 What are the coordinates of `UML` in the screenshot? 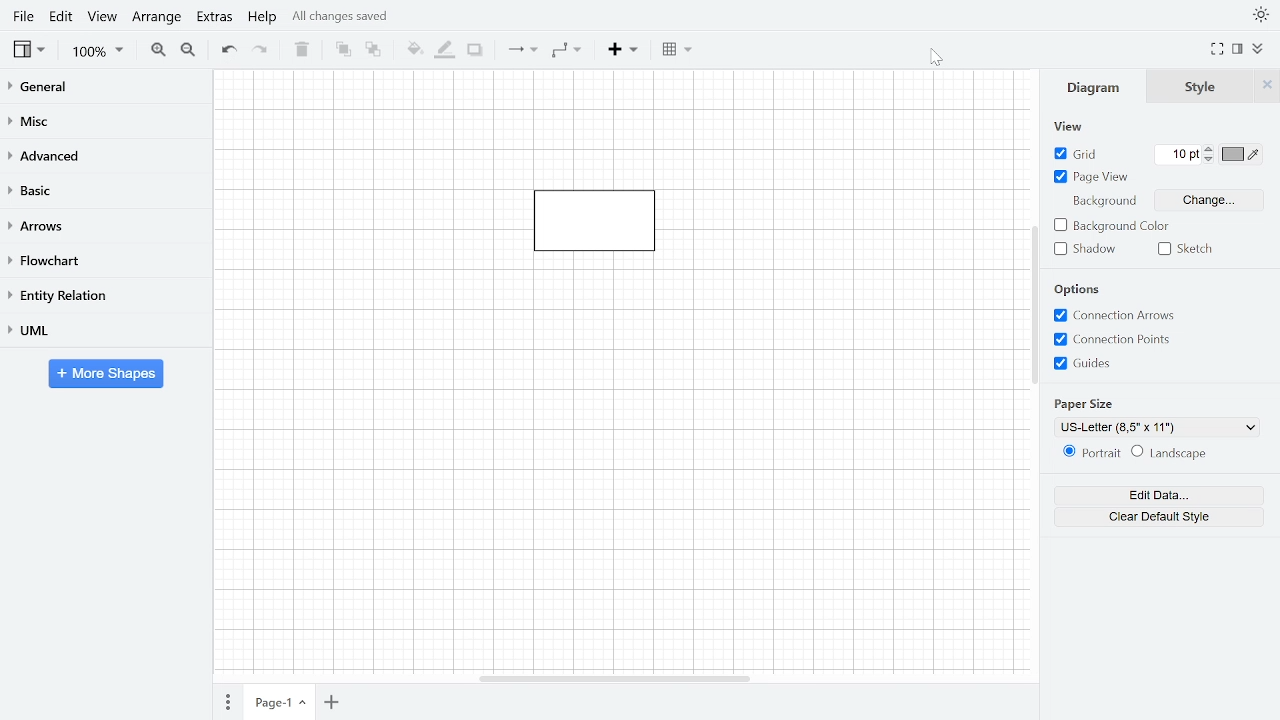 It's located at (106, 331).